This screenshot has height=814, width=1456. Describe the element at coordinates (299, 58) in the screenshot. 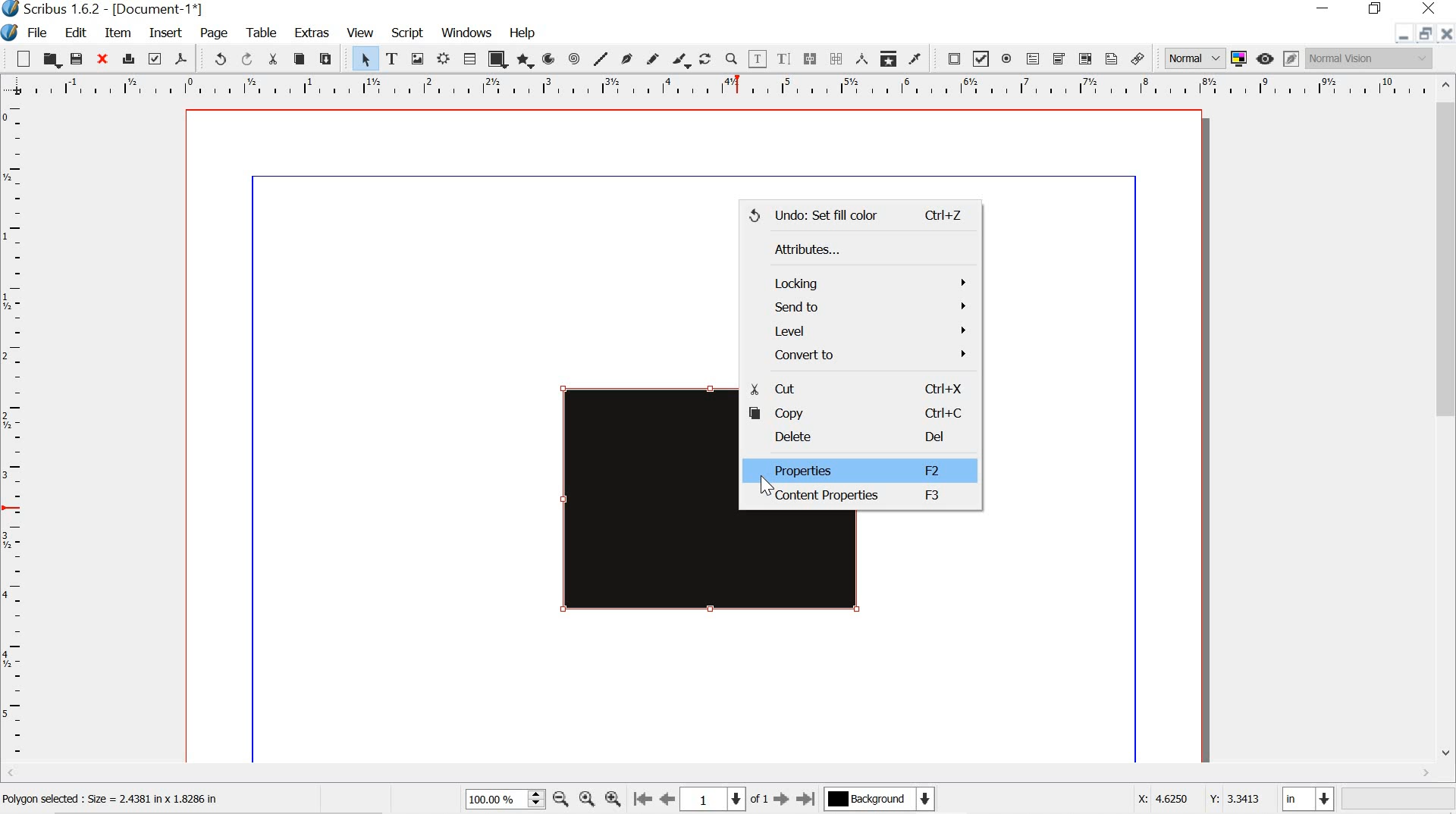

I see `copy` at that location.